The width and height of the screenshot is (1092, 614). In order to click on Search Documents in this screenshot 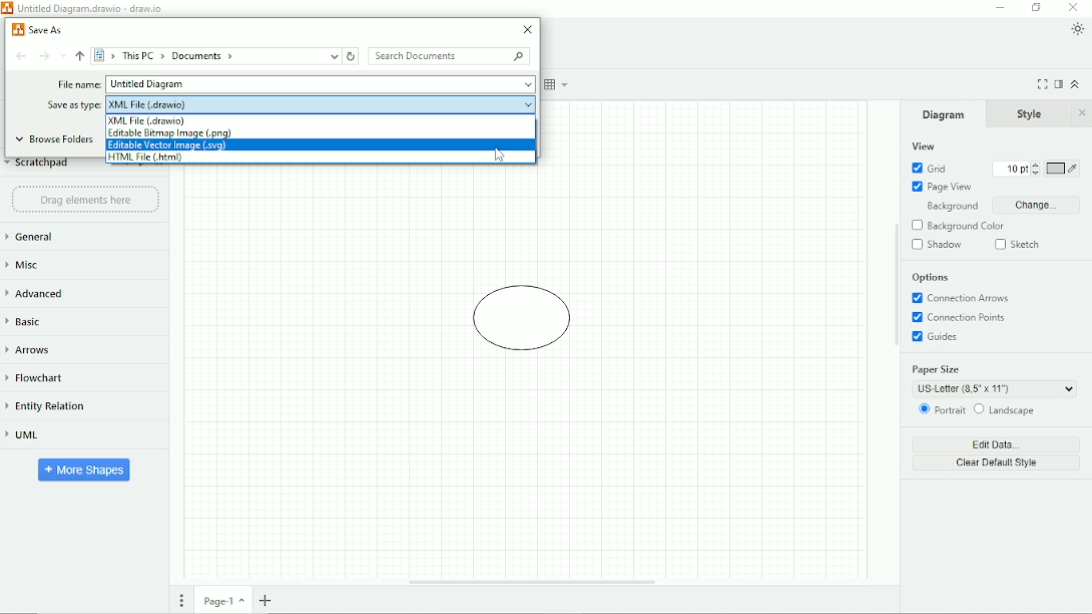, I will do `click(448, 56)`.